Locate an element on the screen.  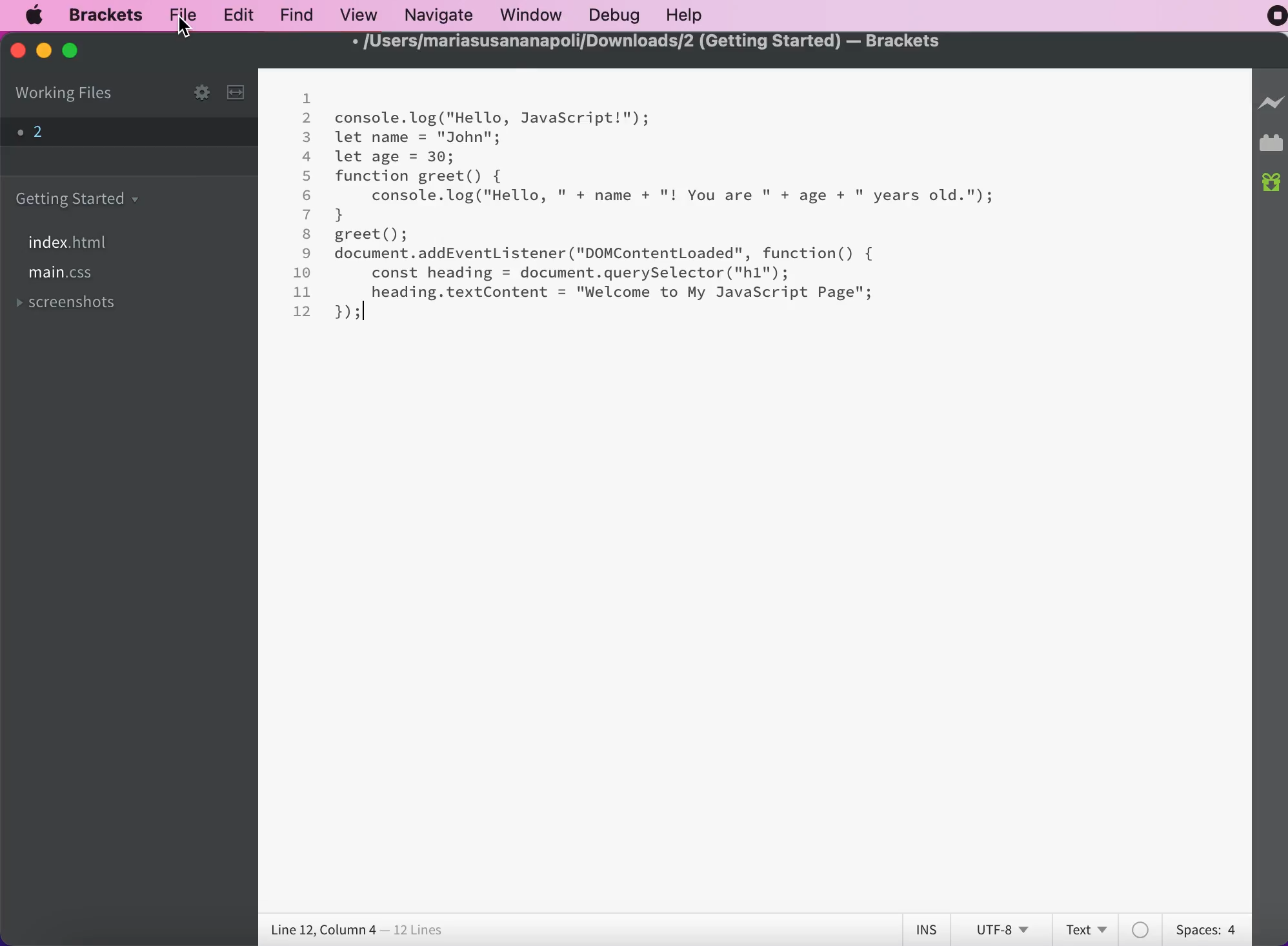
cursor is located at coordinates (185, 30).